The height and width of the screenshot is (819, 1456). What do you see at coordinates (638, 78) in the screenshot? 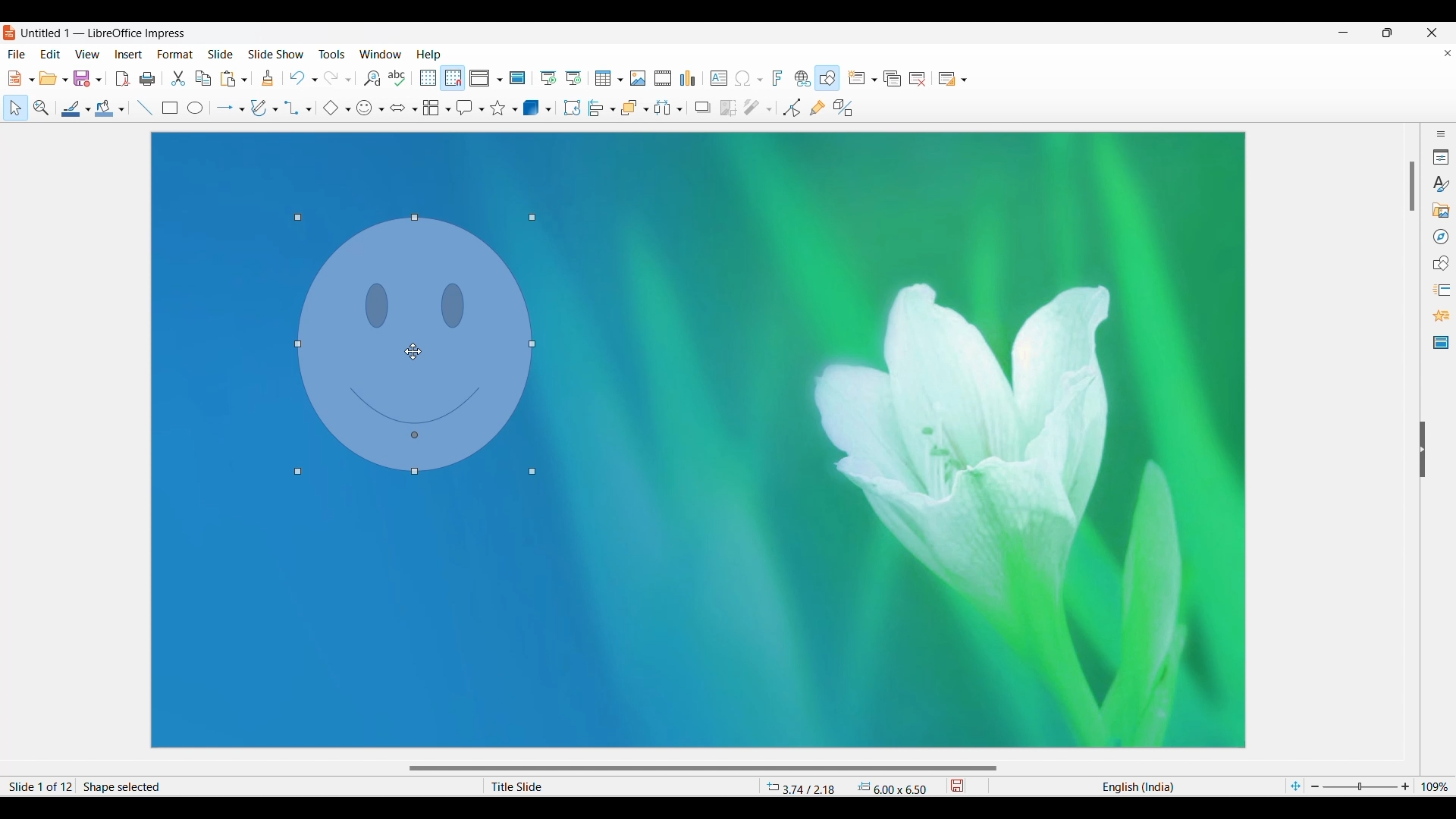
I see `Insert image` at bounding box center [638, 78].